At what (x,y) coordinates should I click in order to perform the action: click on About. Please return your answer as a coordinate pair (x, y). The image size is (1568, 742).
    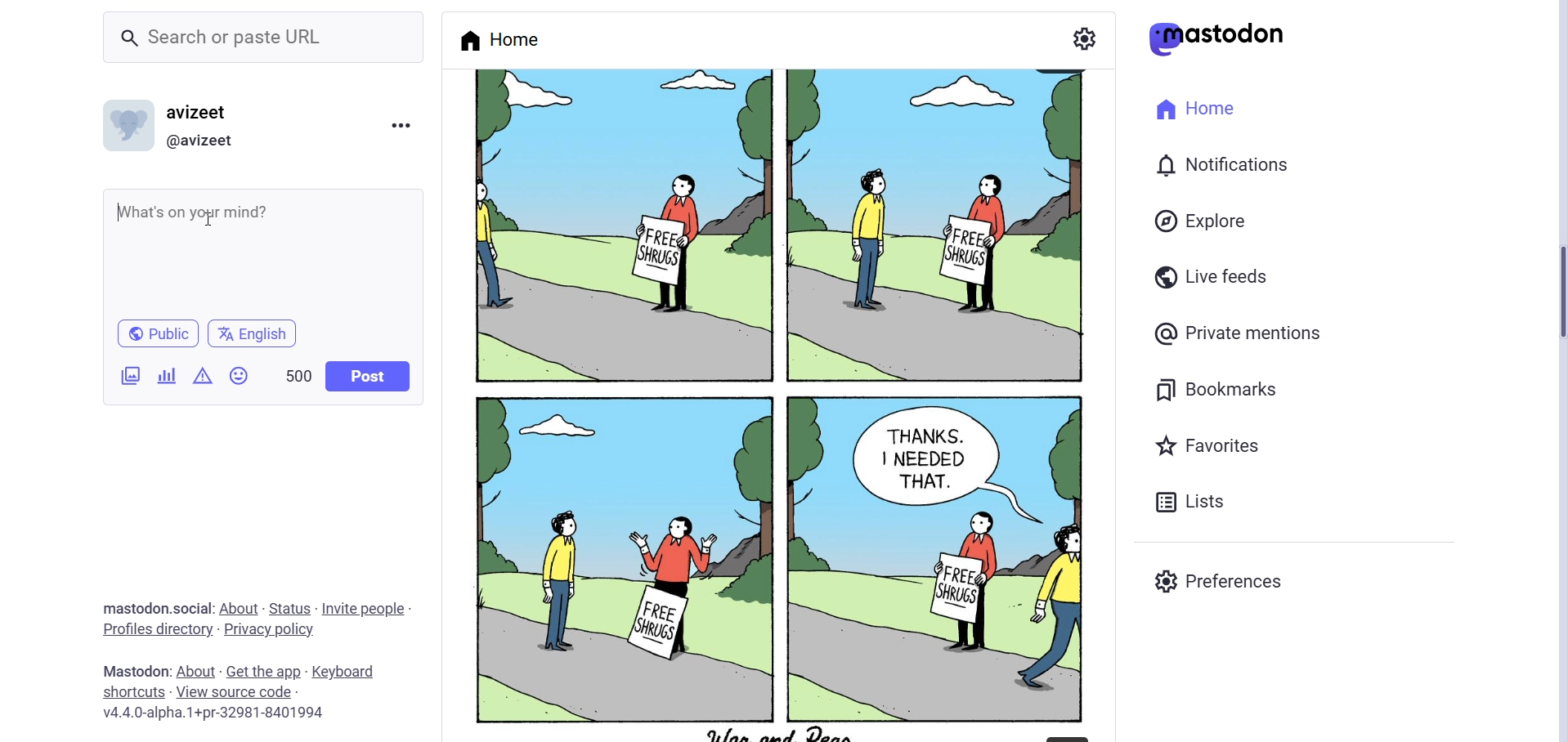
    Looking at the image, I should click on (241, 606).